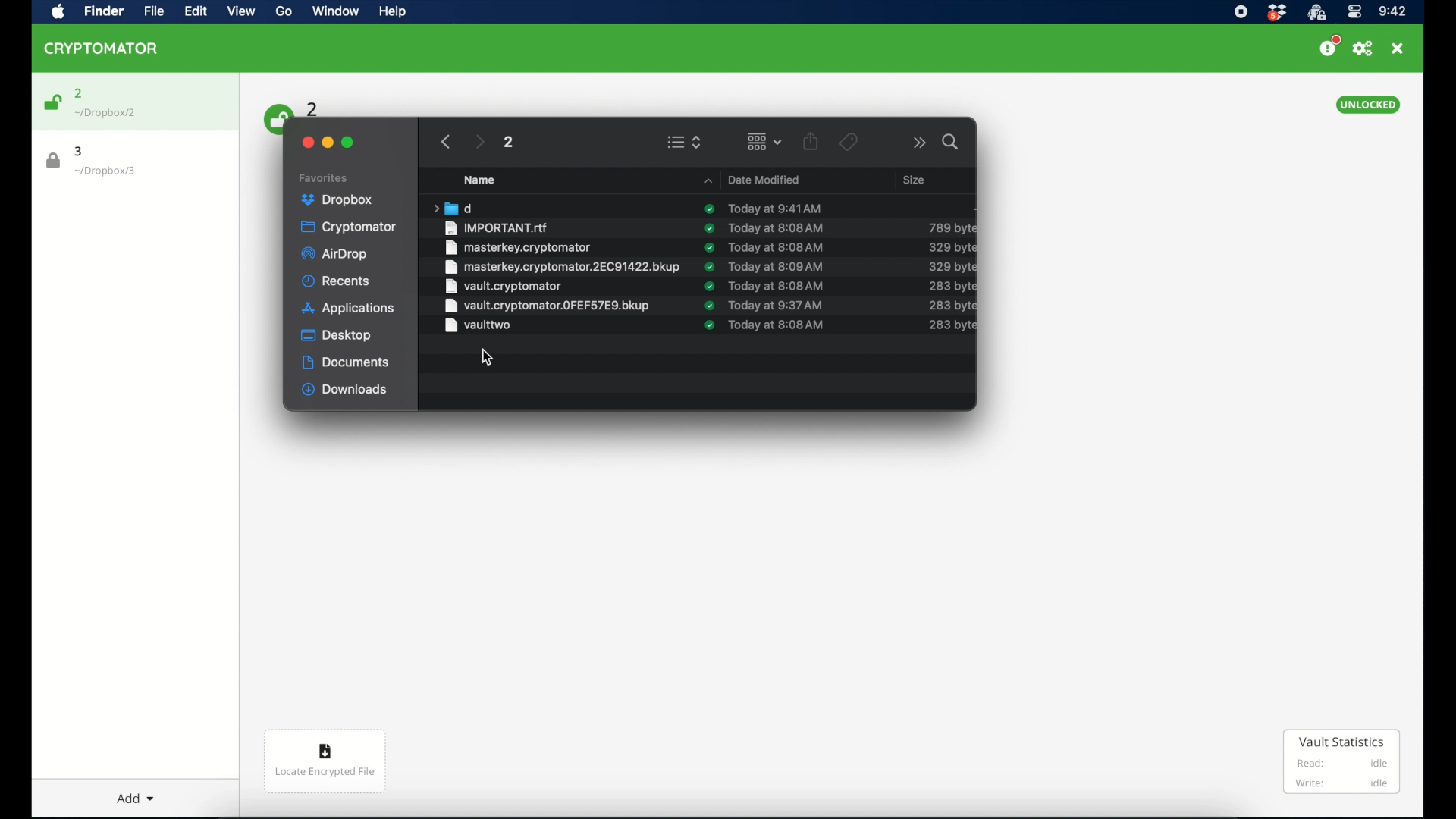 This screenshot has width=1456, height=819. What do you see at coordinates (1342, 763) in the screenshot?
I see `vault statistics` at bounding box center [1342, 763].